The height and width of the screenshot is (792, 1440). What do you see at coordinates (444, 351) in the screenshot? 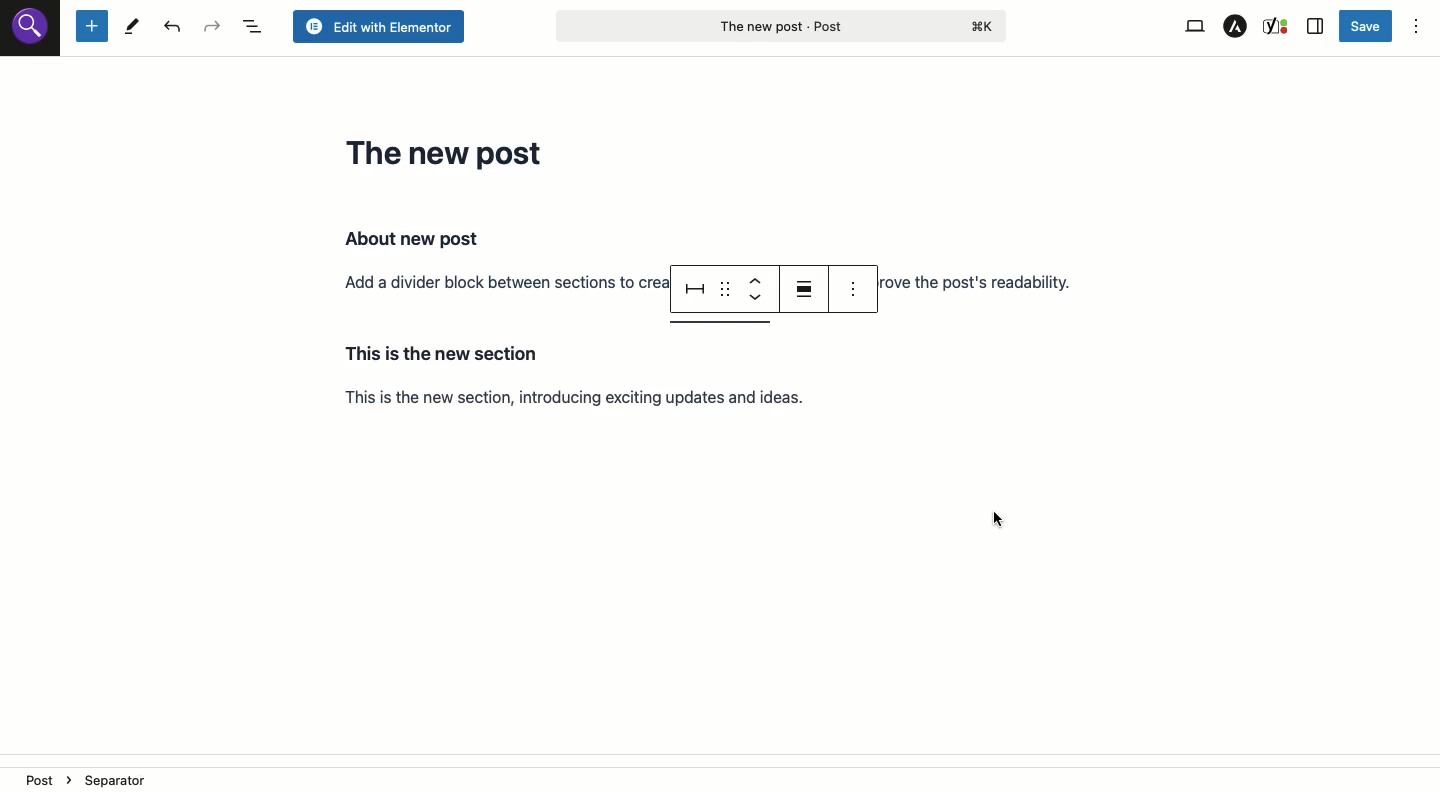
I see `Hovering over choose a block` at bounding box center [444, 351].